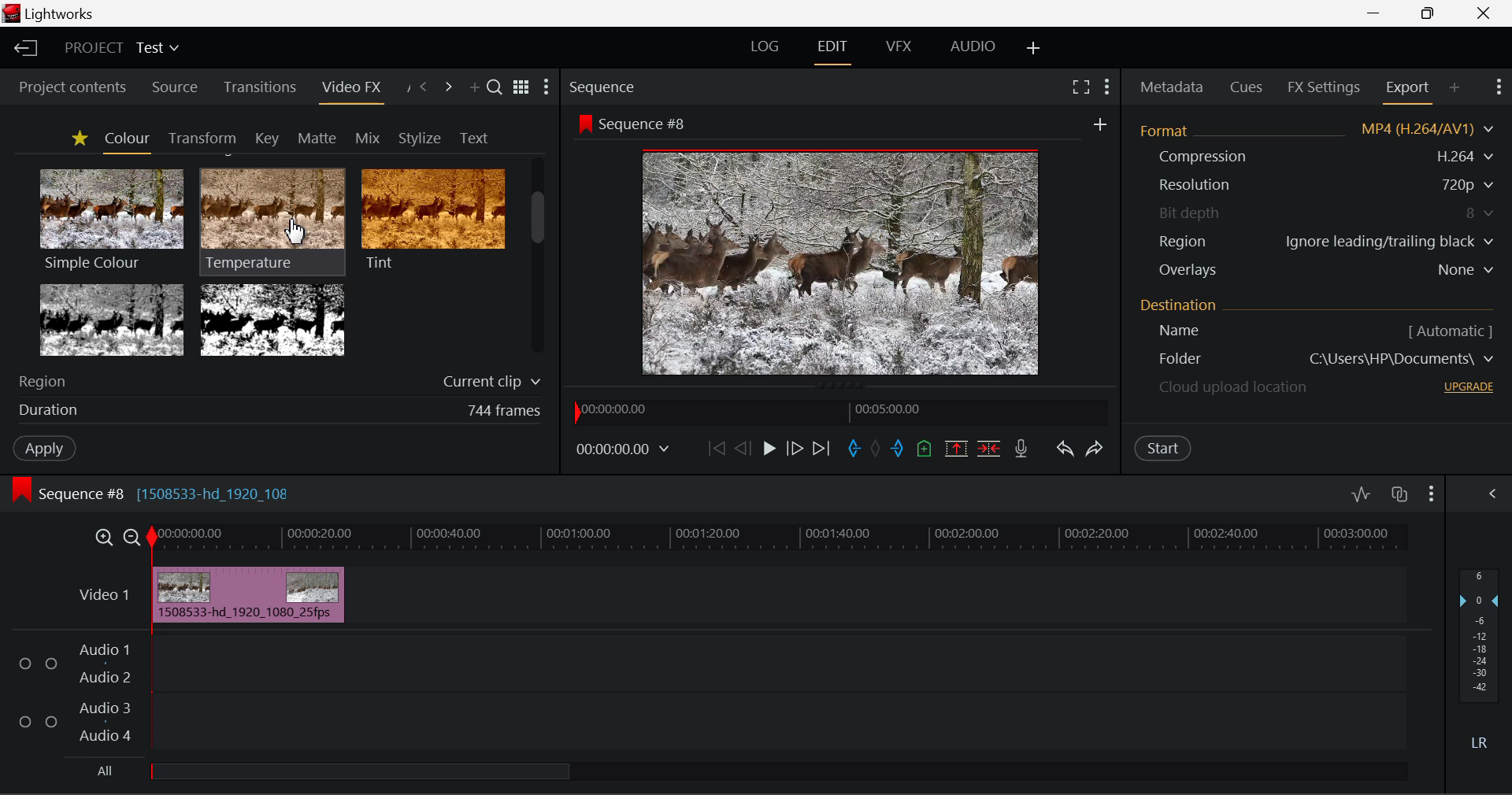 This screenshot has width=1512, height=795. I want to click on Bit depth, so click(1191, 210).